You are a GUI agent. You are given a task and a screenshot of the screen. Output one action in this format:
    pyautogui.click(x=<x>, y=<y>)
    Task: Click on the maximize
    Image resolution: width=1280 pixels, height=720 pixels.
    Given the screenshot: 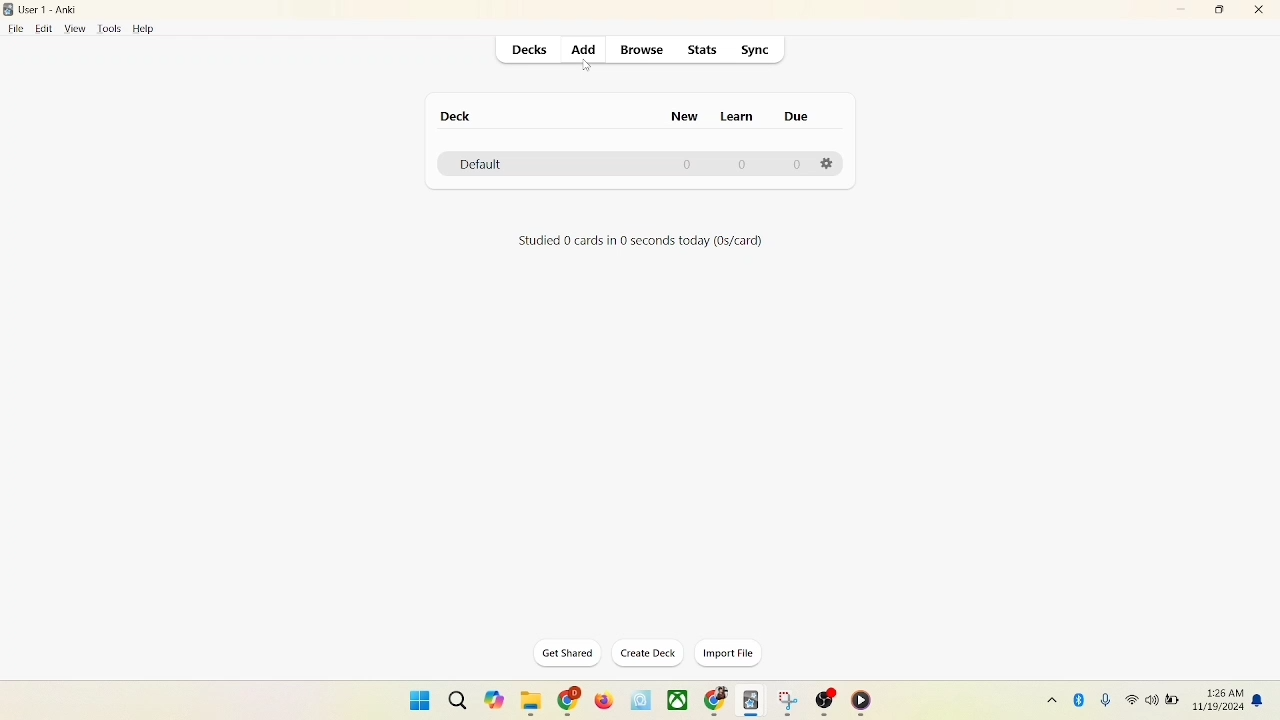 What is the action you would take?
    pyautogui.click(x=1222, y=13)
    